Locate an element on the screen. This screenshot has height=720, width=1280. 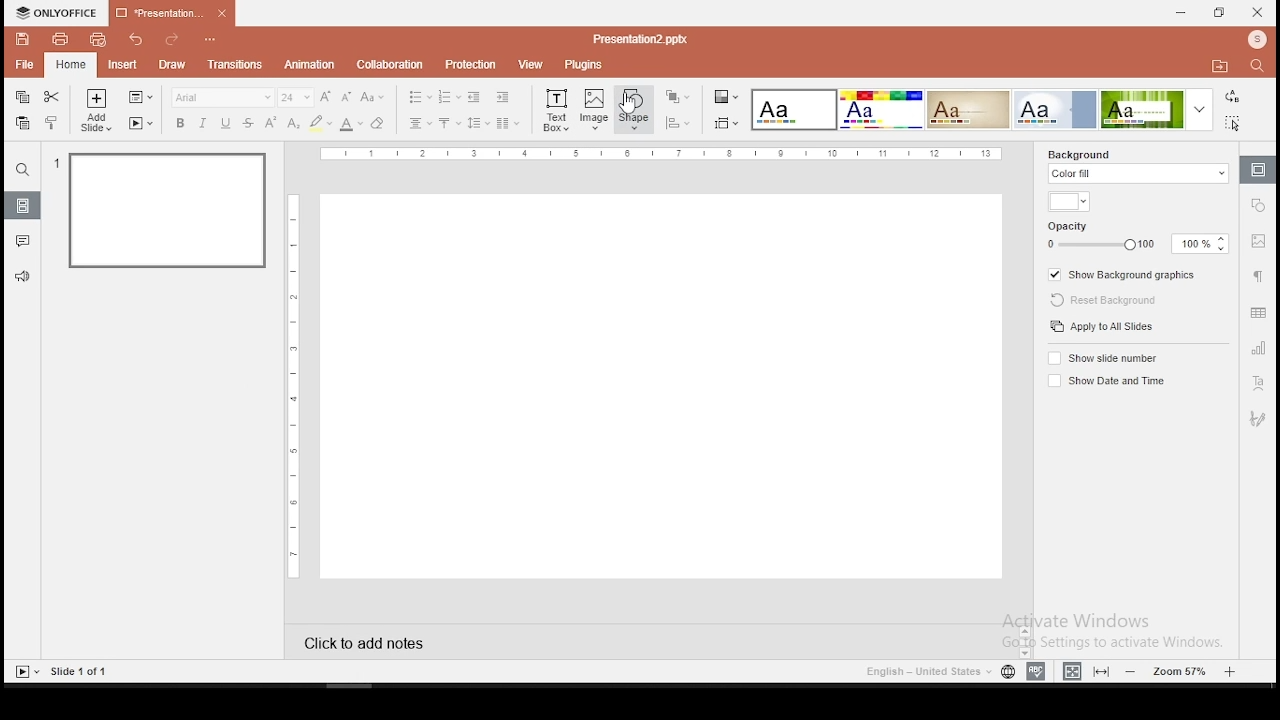
show slide number on/off is located at coordinates (1105, 359).